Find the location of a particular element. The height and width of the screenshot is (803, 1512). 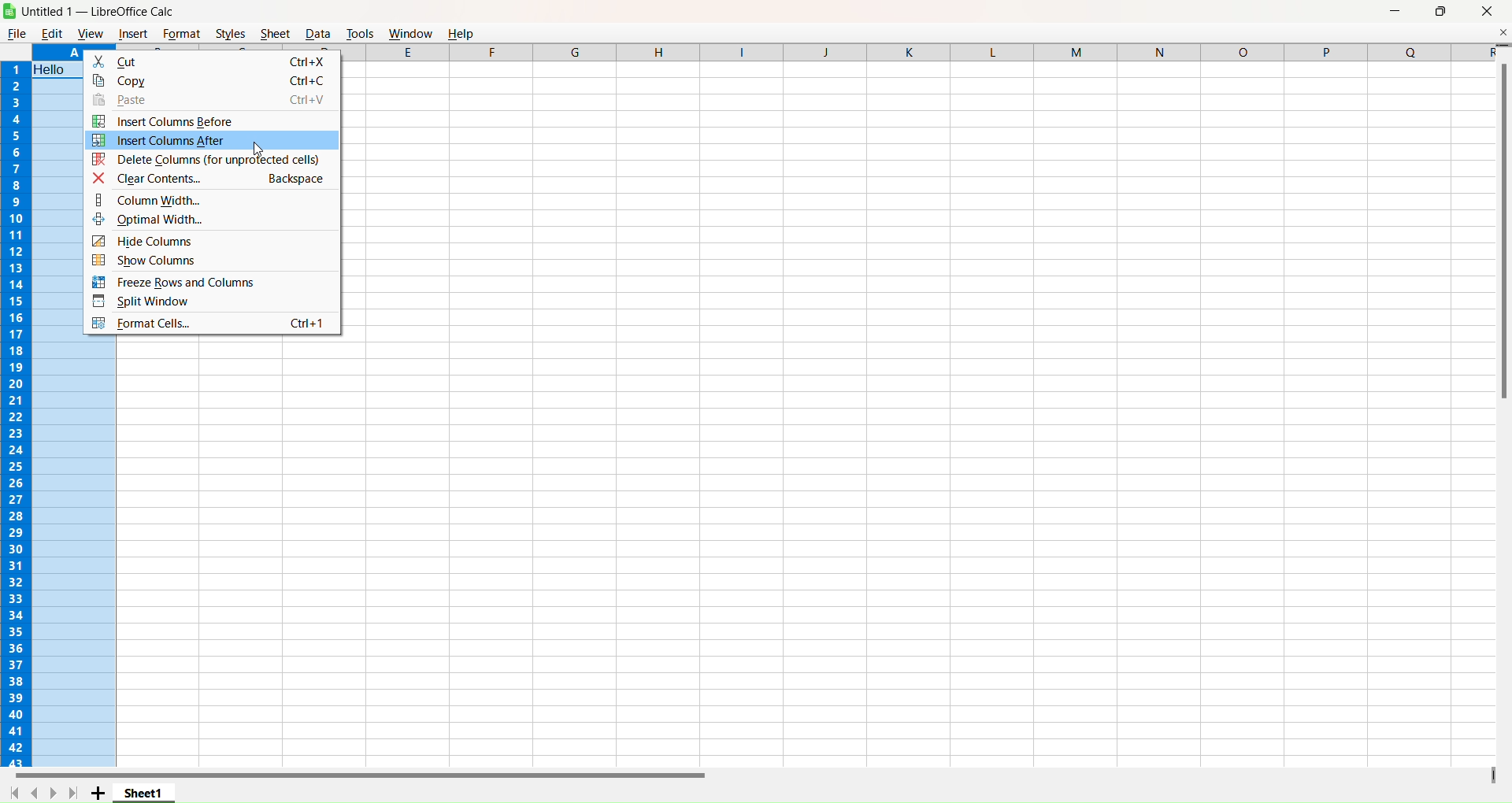

Insert Columns Before is located at coordinates (202, 121).